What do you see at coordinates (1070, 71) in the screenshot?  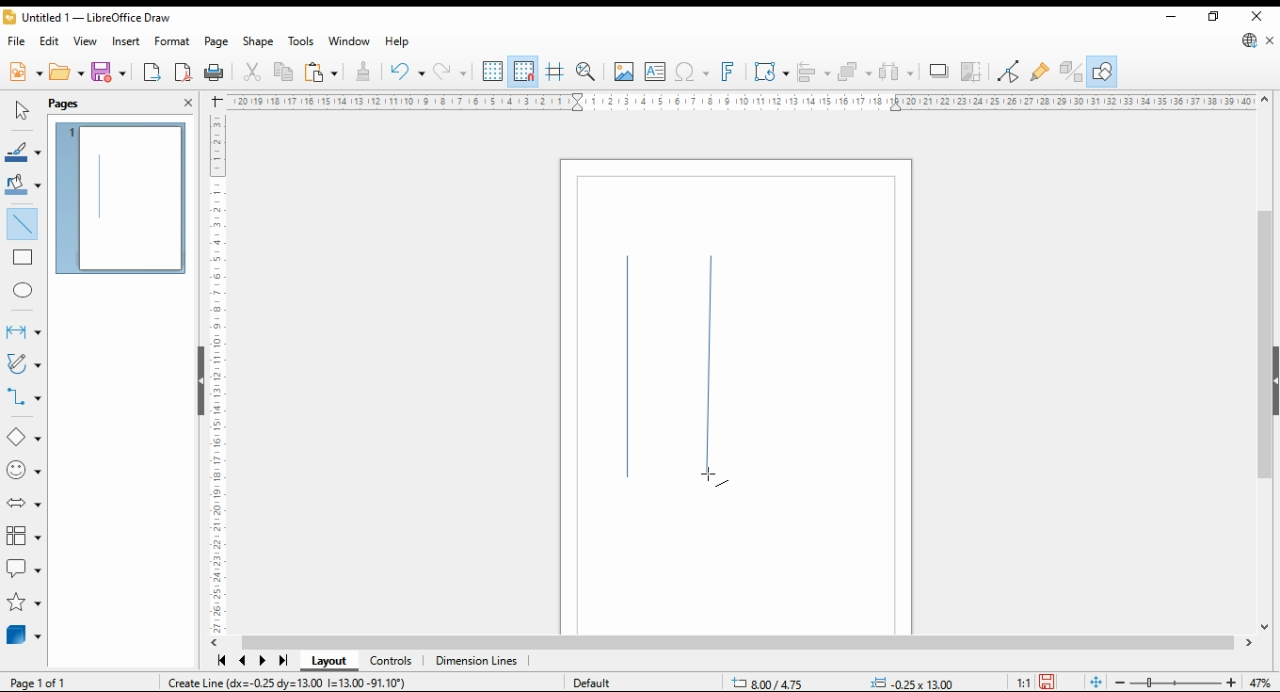 I see `show extrusions` at bounding box center [1070, 71].